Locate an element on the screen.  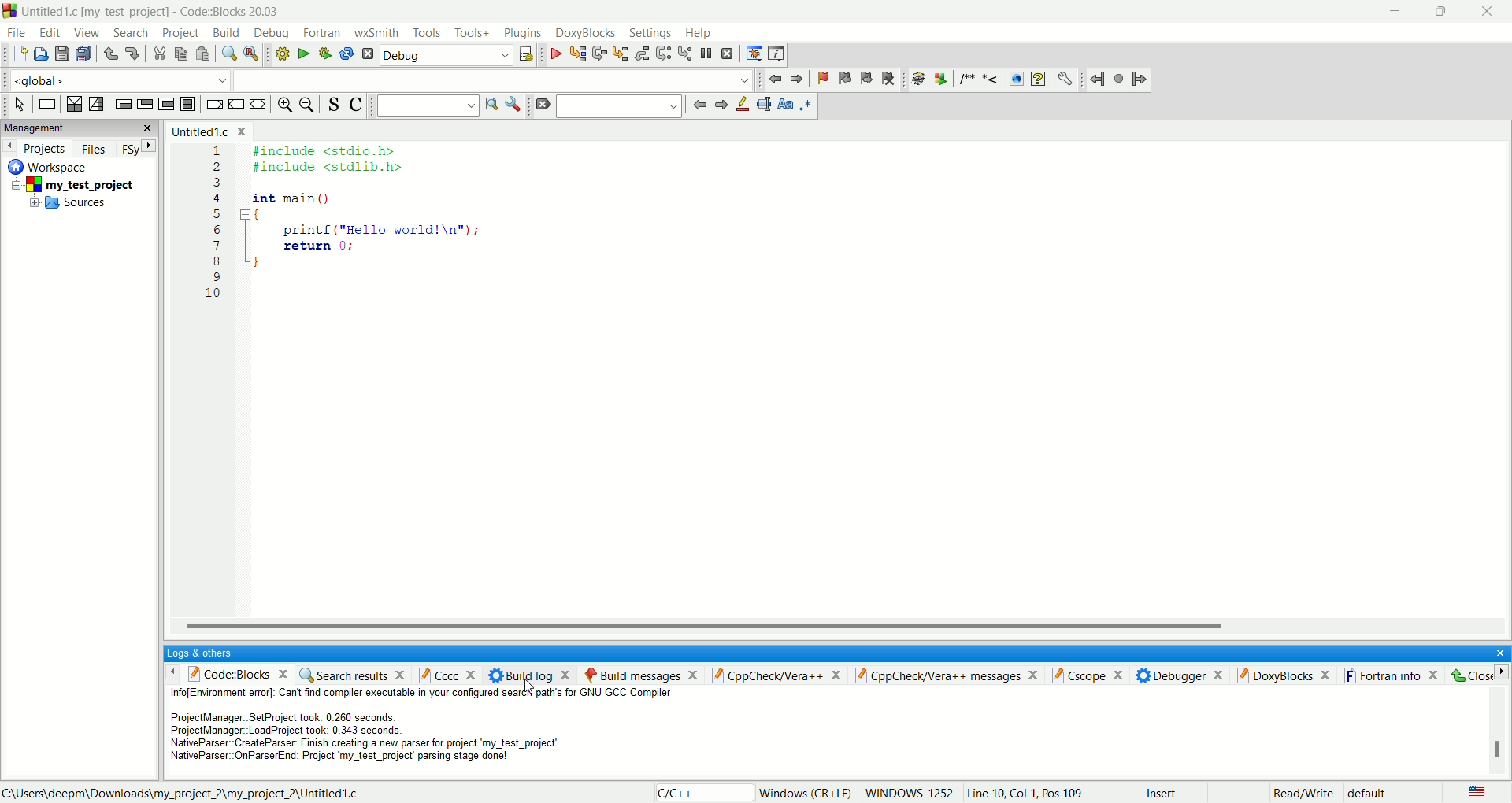
elect target dialog is located at coordinates (525, 54).